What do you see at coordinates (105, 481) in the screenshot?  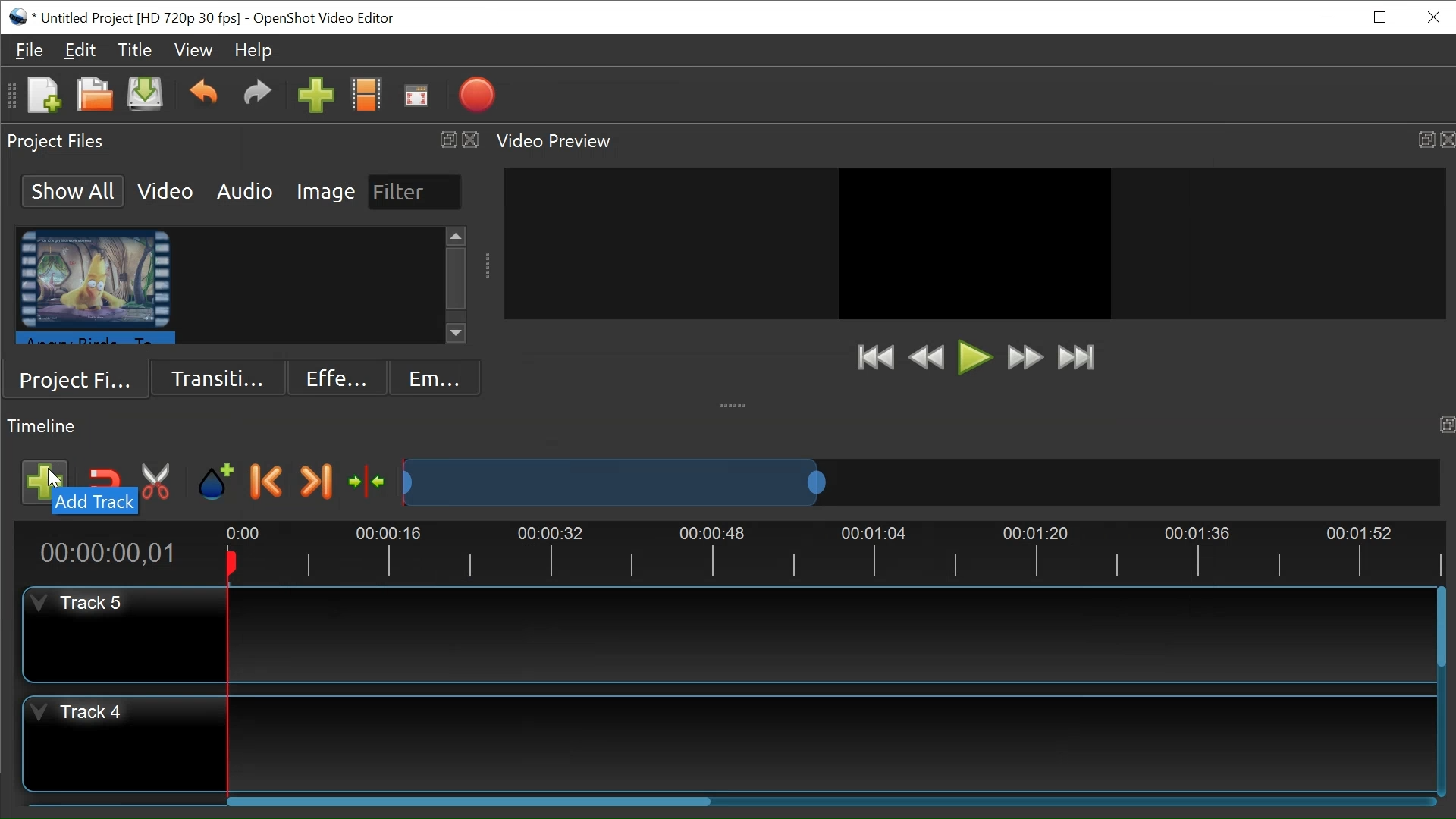 I see `Snap` at bounding box center [105, 481].